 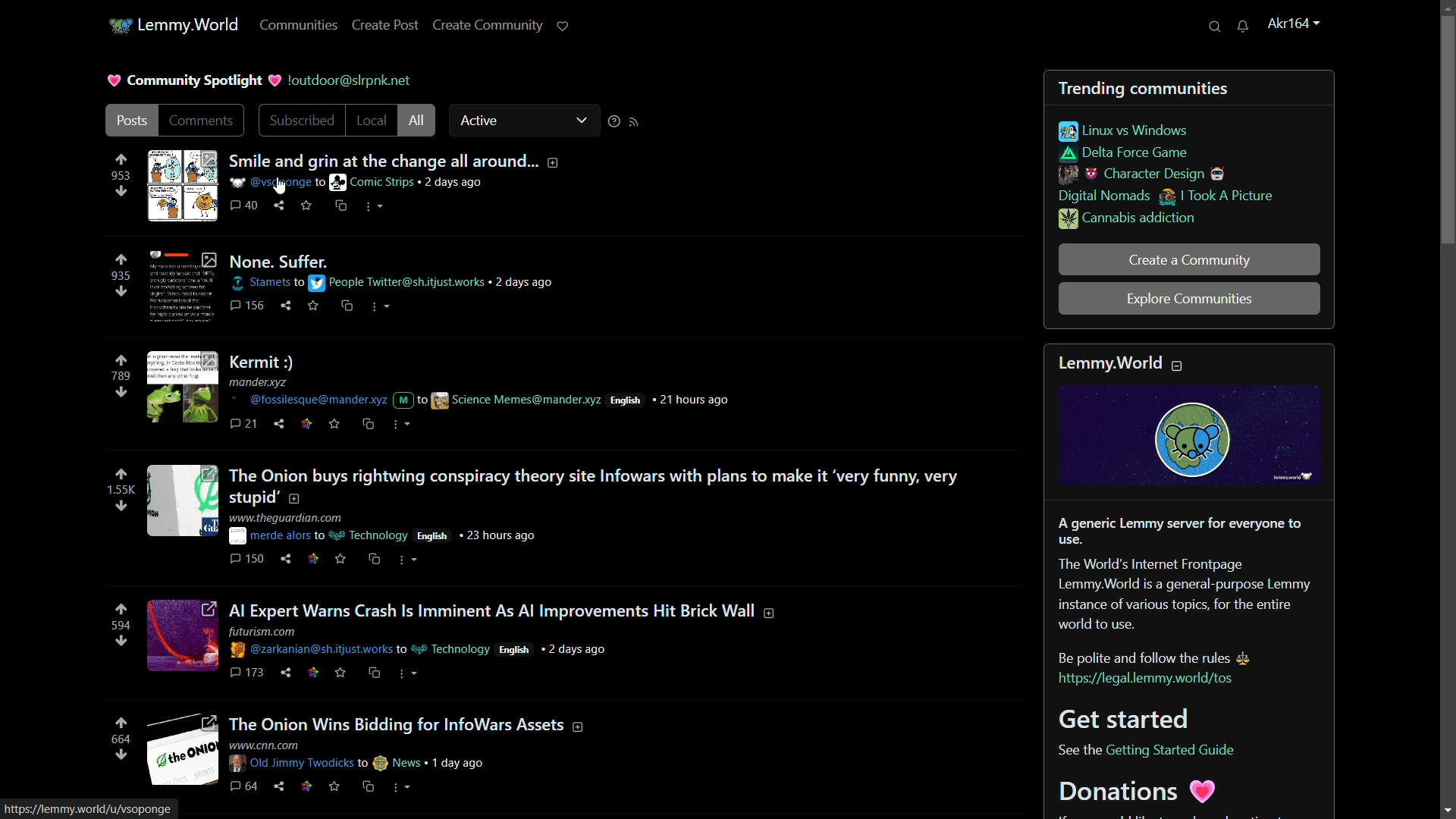 What do you see at coordinates (340, 674) in the screenshot?
I see `save` at bounding box center [340, 674].